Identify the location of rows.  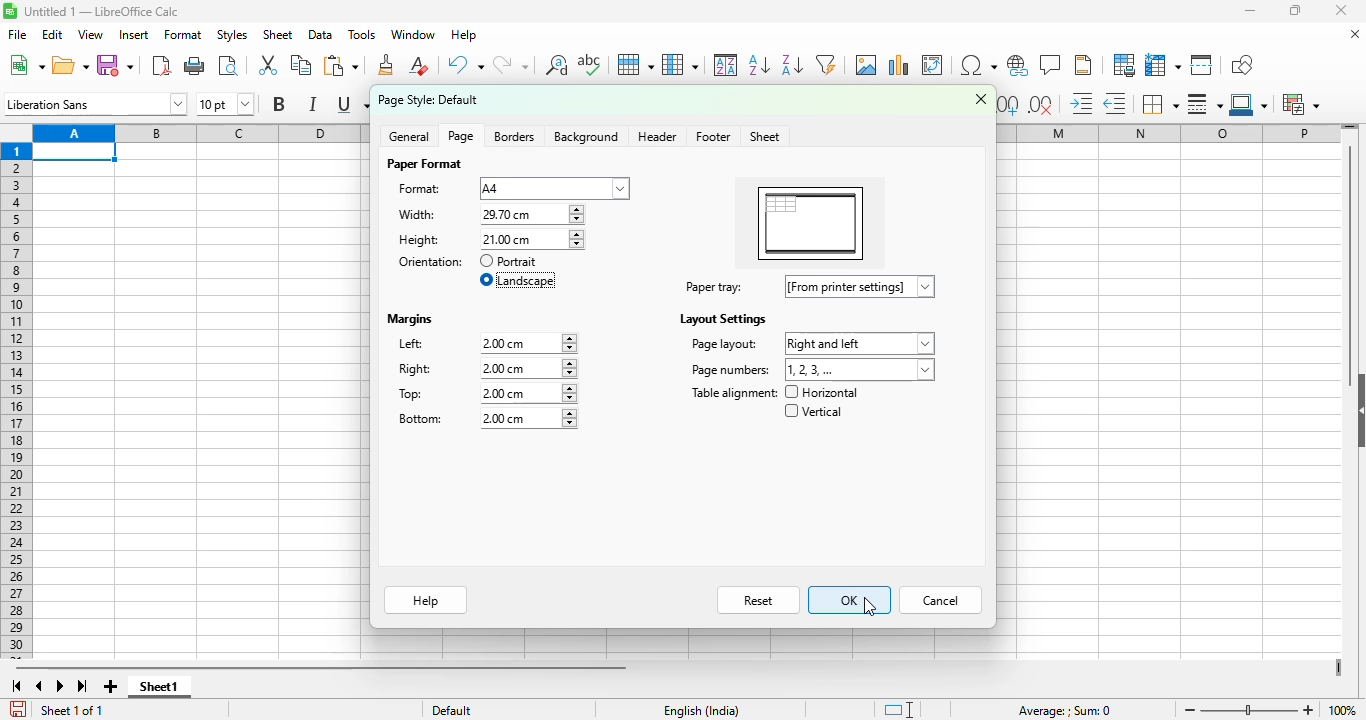
(16, 401).